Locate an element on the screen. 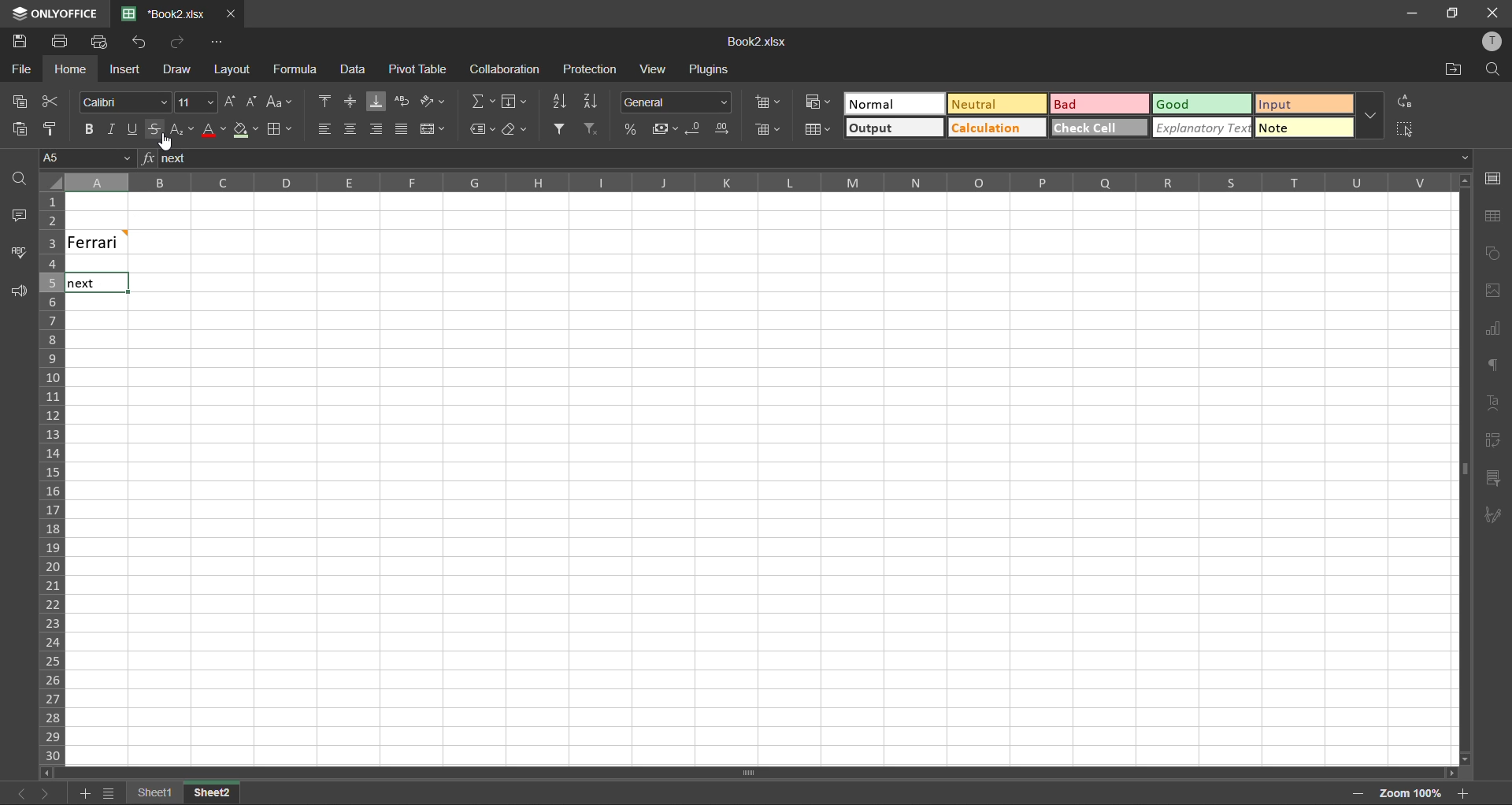 This screenshot has width=1512, height=805. Cursor is located at coordinates (164, 143).